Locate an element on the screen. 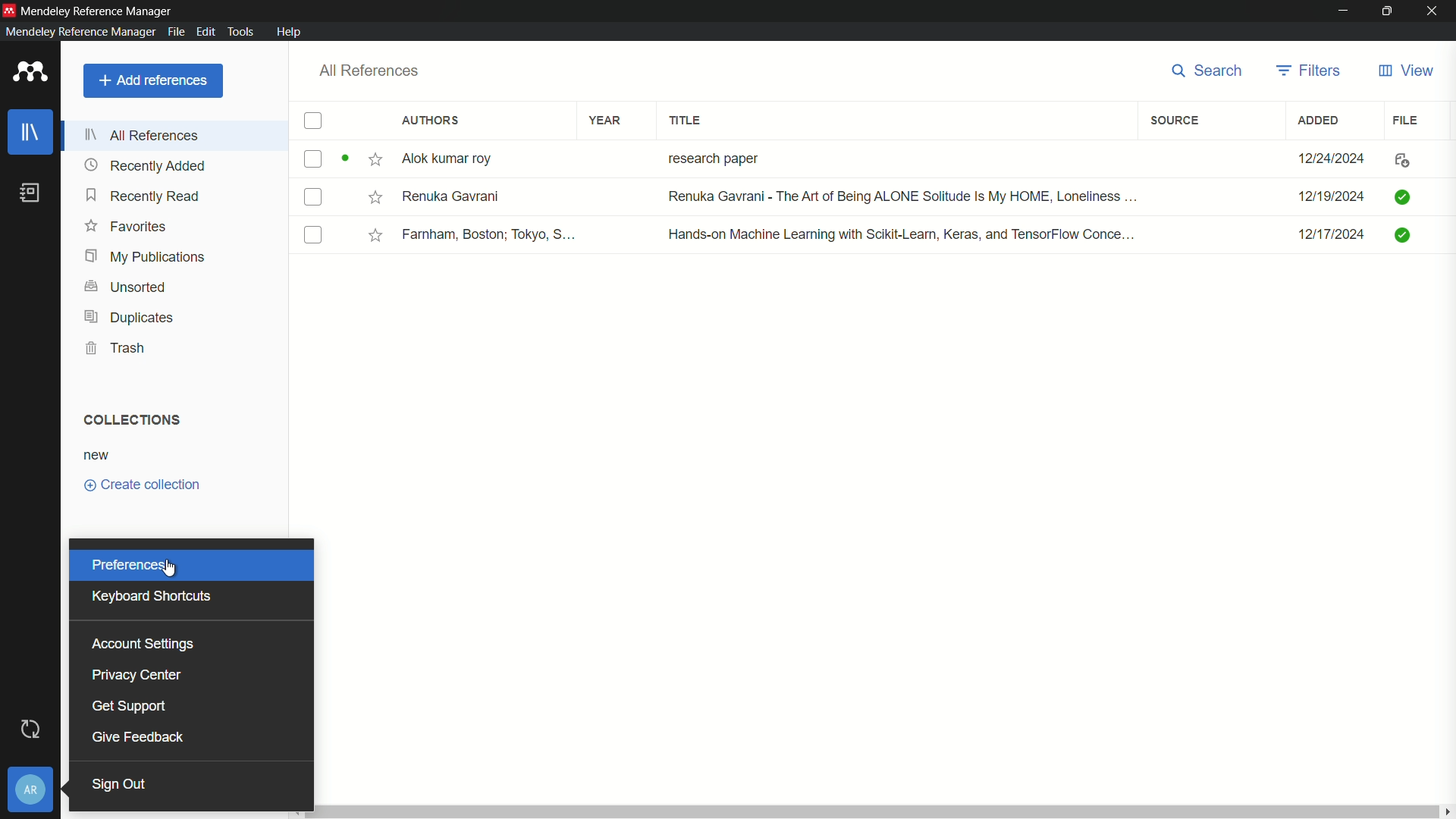 The height and width of the screenshot is (819, 1456). file is located at coordinates (1406, 120).